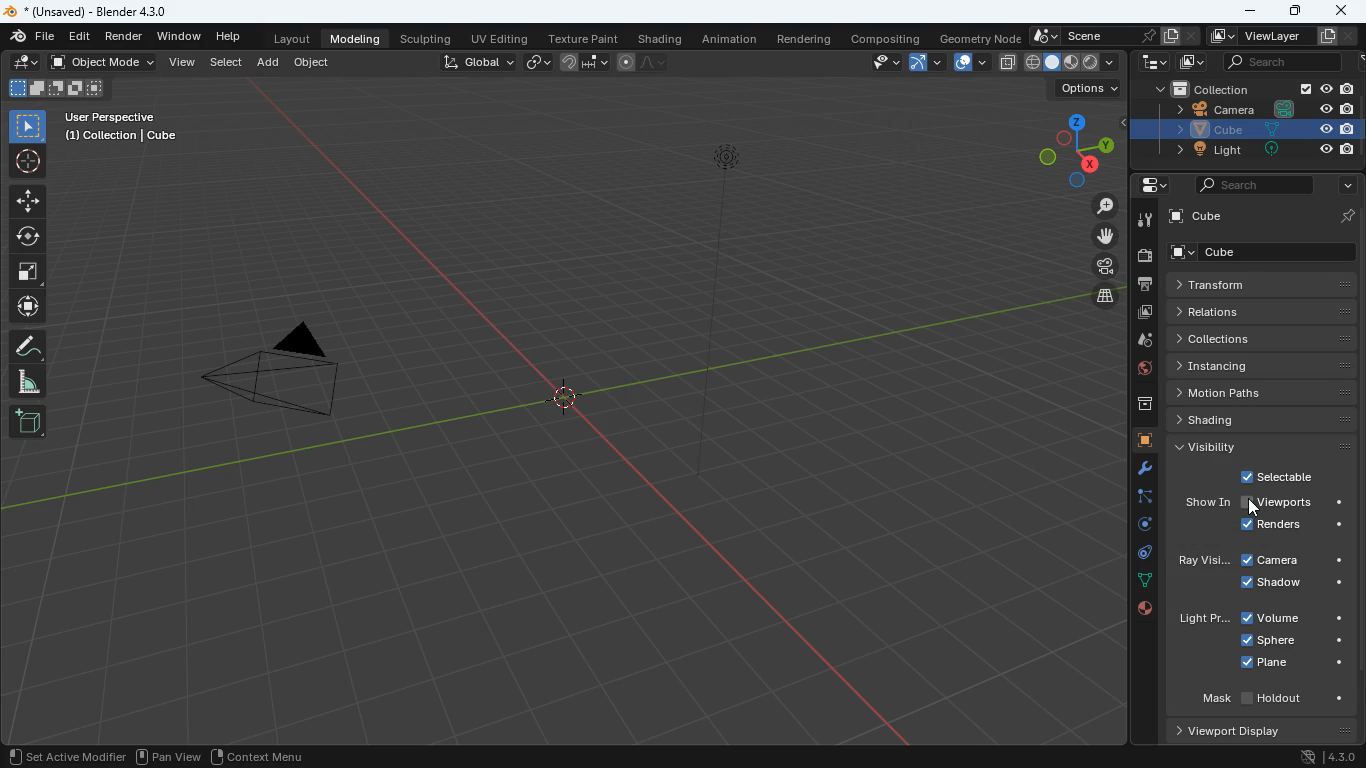 Image resolution: width=1366 pixels, height=768 pixels. I want to click on control, so click(1139, 554).